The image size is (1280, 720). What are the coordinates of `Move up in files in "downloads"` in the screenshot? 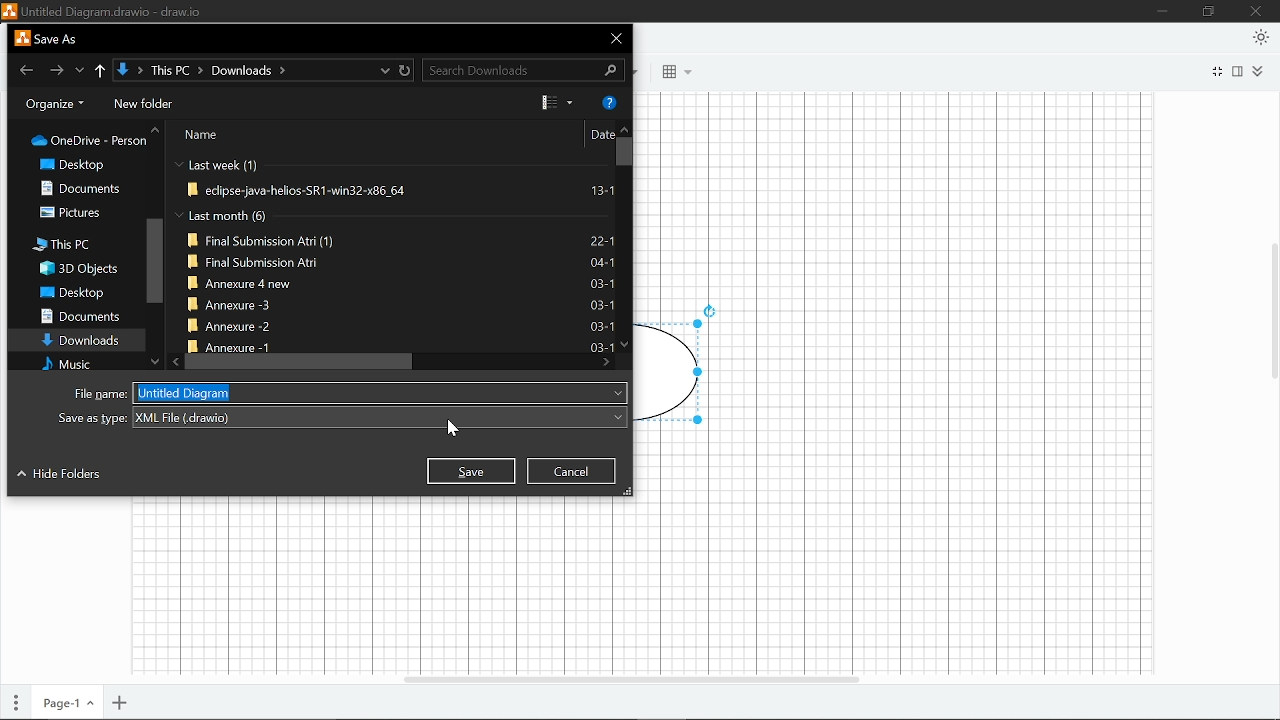 It's located at (625, 126).